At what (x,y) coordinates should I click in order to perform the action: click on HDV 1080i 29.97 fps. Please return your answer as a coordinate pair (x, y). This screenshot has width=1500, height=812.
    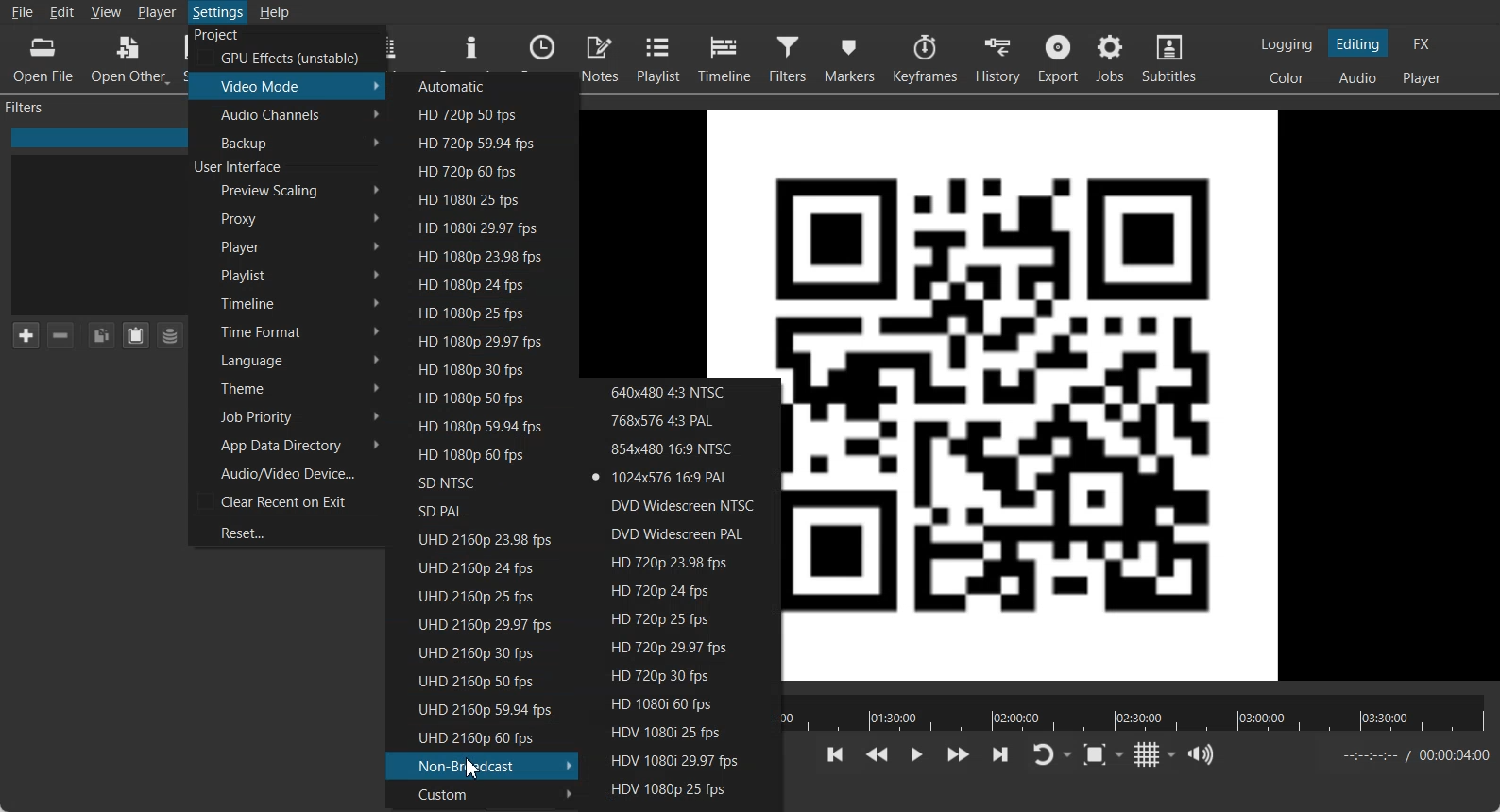
    Looking at the image, I should click on (679, 759).